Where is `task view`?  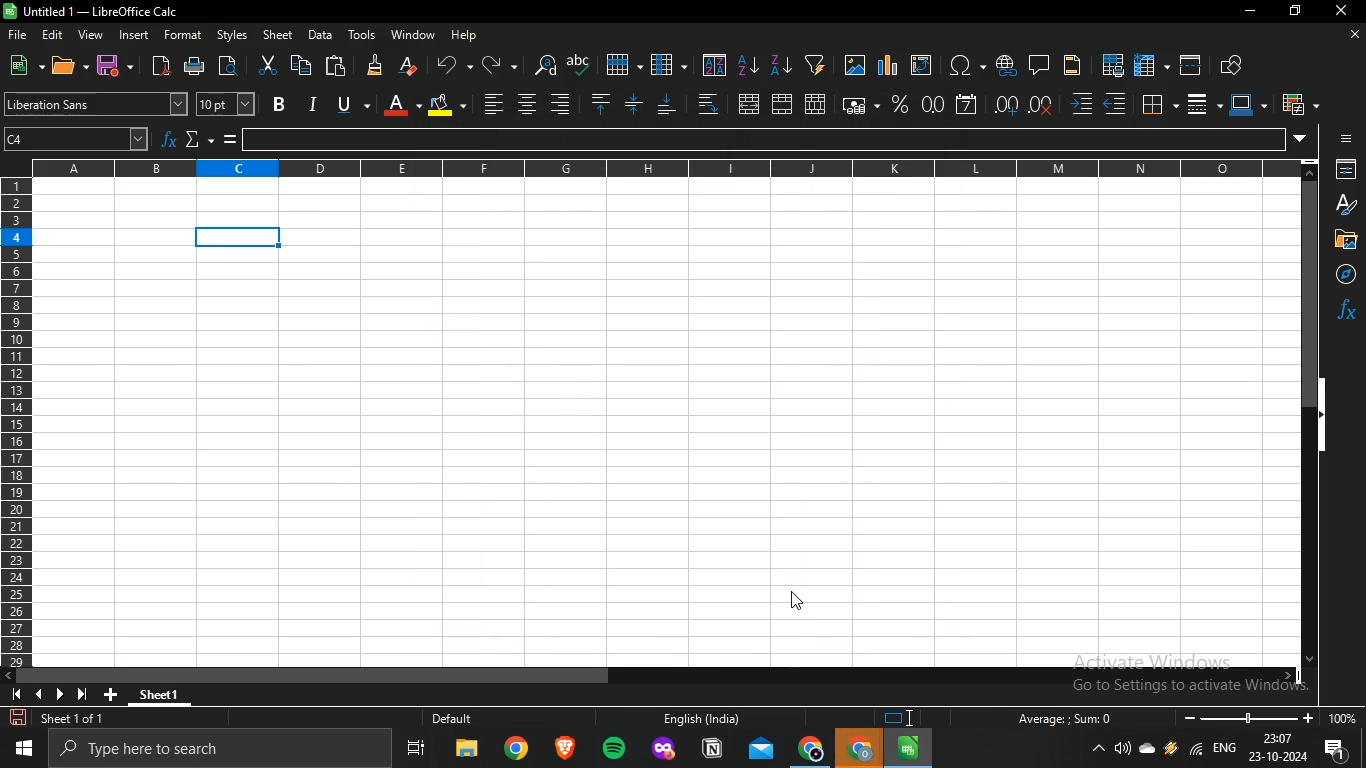
task view is located at coordinates (417, 752).